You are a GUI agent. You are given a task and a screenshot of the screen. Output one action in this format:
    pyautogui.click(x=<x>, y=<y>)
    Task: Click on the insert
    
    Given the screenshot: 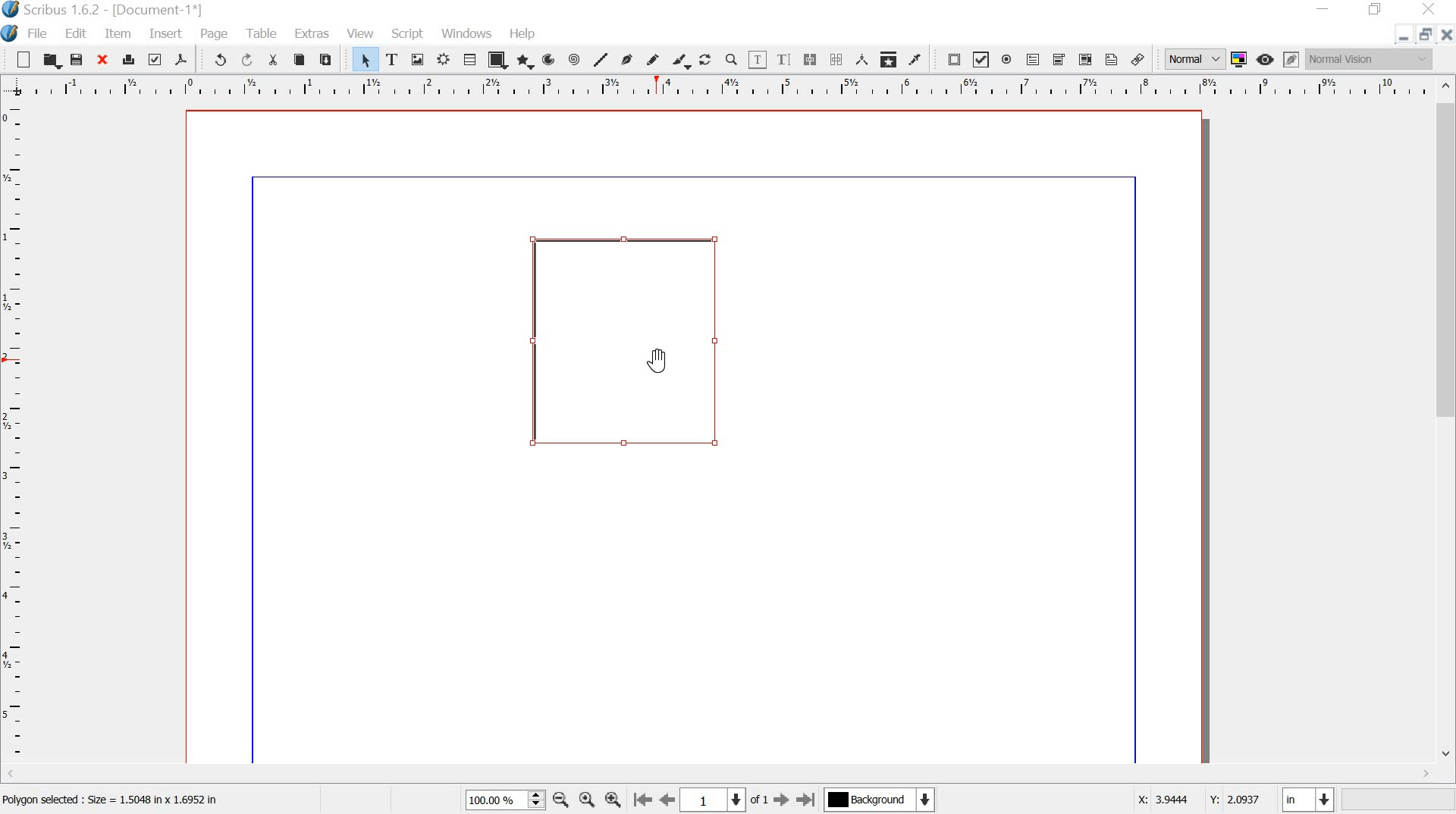 What is the action you would take?
    pyautogui.click(x=166, y=34)
    